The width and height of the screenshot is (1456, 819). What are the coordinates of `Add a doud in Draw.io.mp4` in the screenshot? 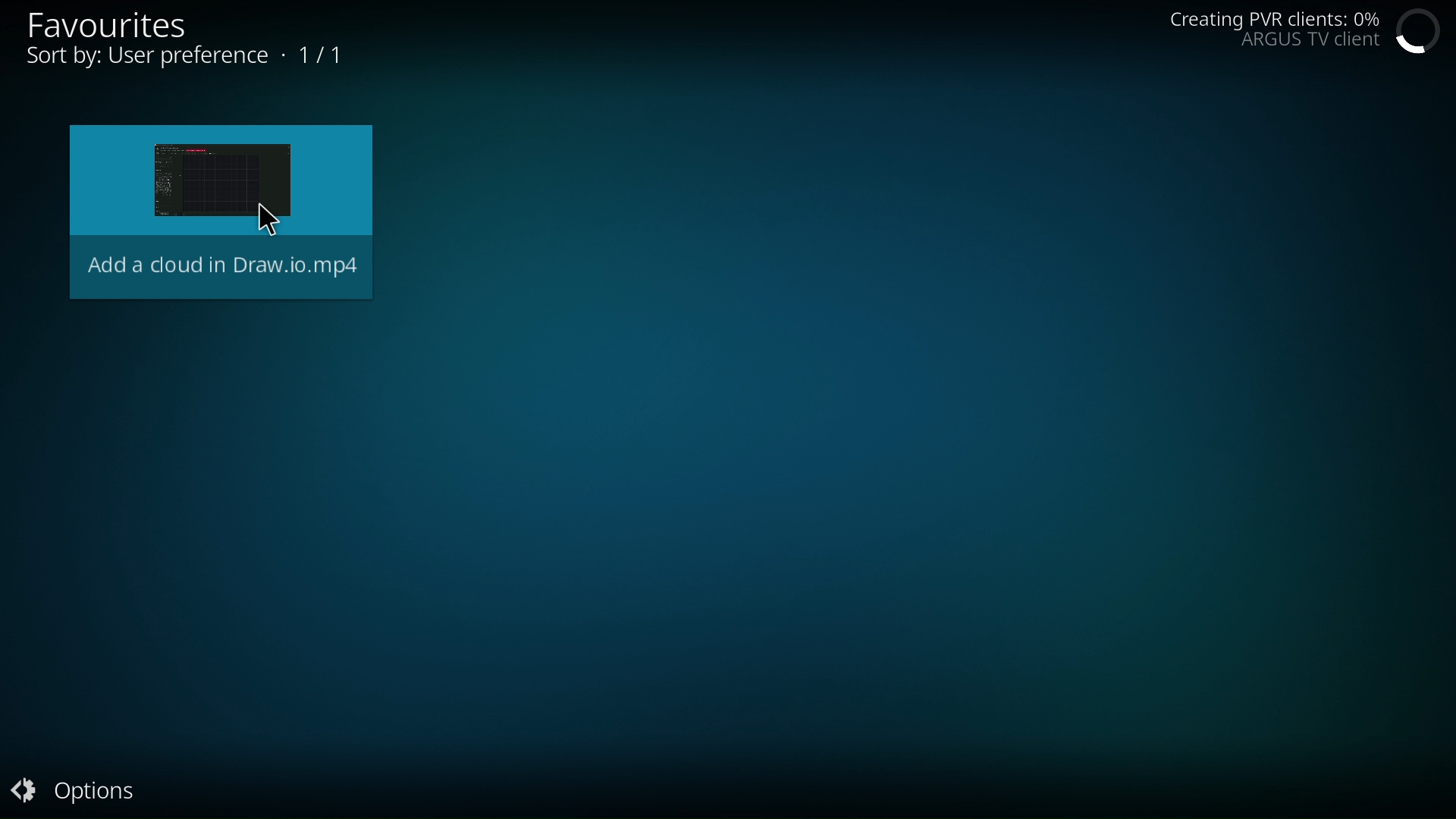 It's located at (217, 215).